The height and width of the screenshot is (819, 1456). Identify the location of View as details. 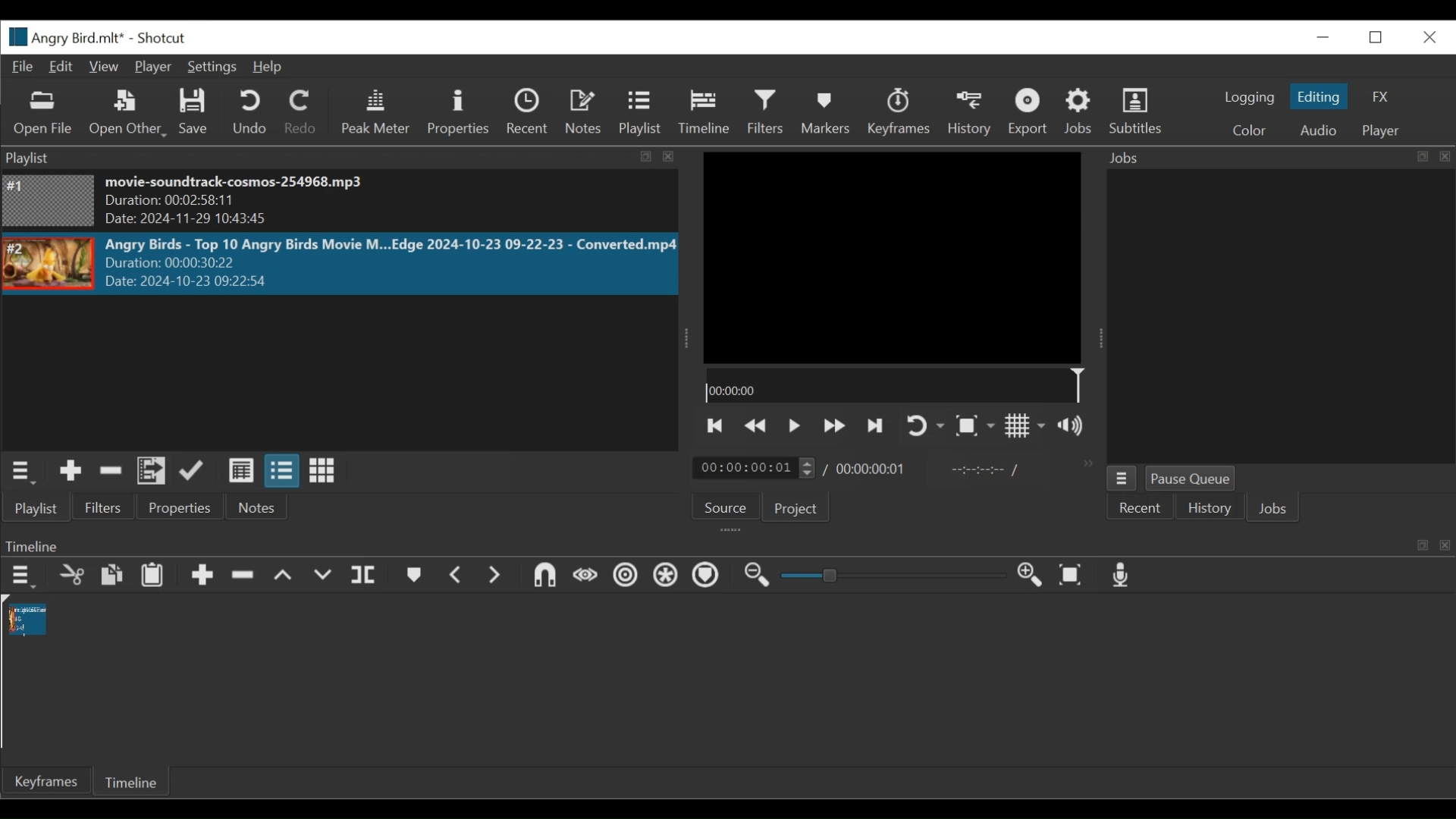
(240, 472).